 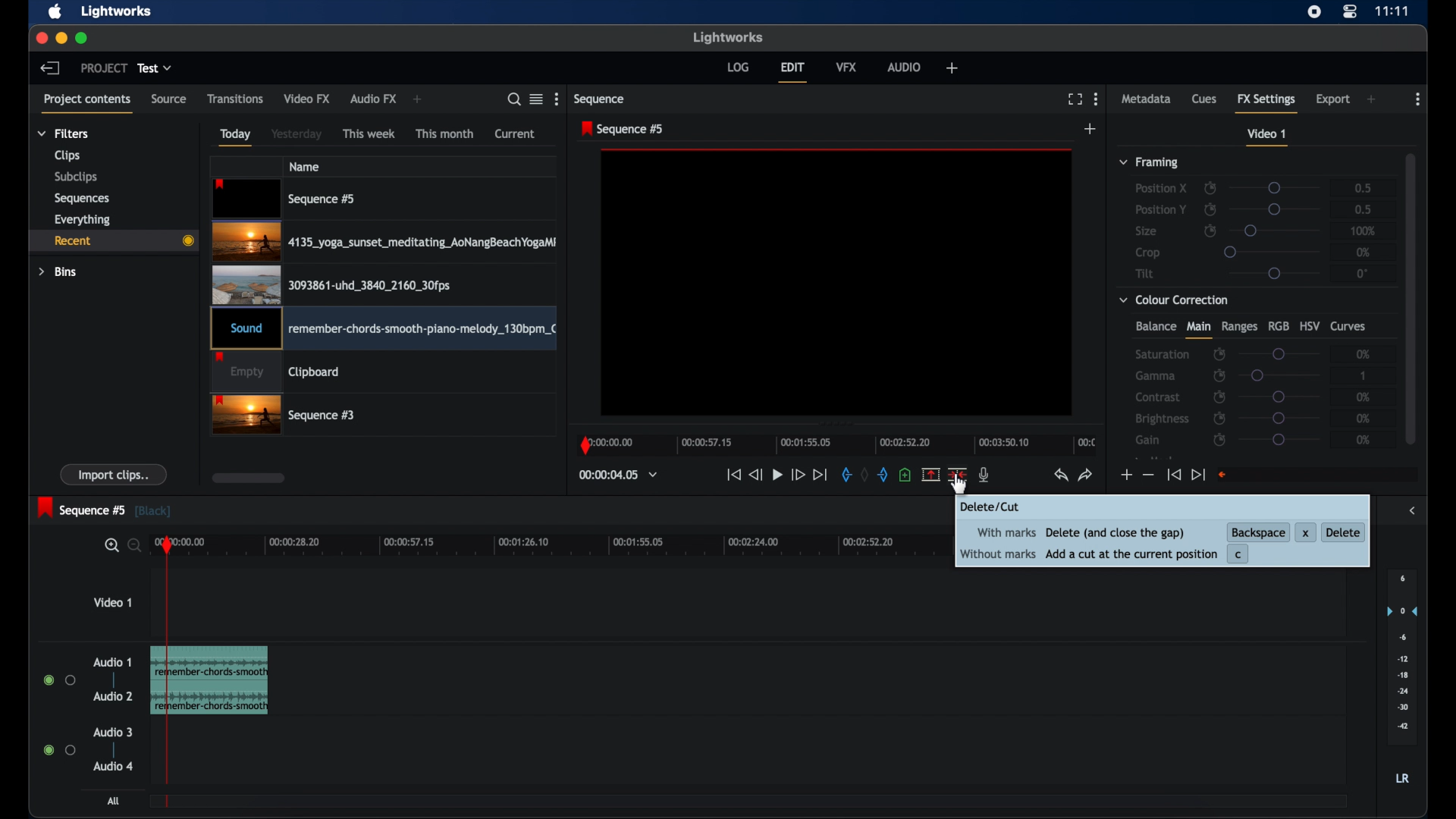 I want to click on 0%, so click(x=1364, y=353).